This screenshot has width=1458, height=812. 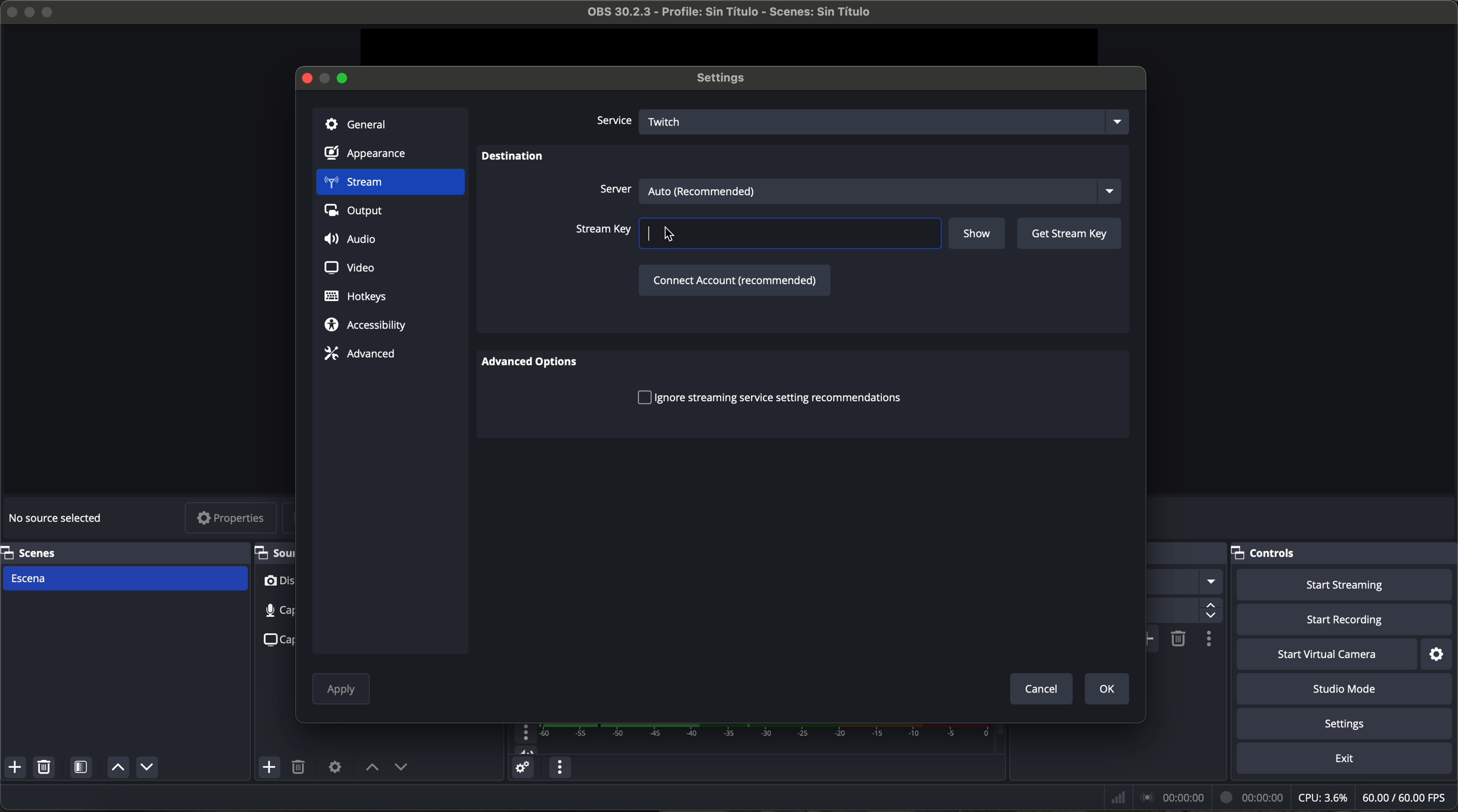 I want to click on general, so click(x=390, y=123).